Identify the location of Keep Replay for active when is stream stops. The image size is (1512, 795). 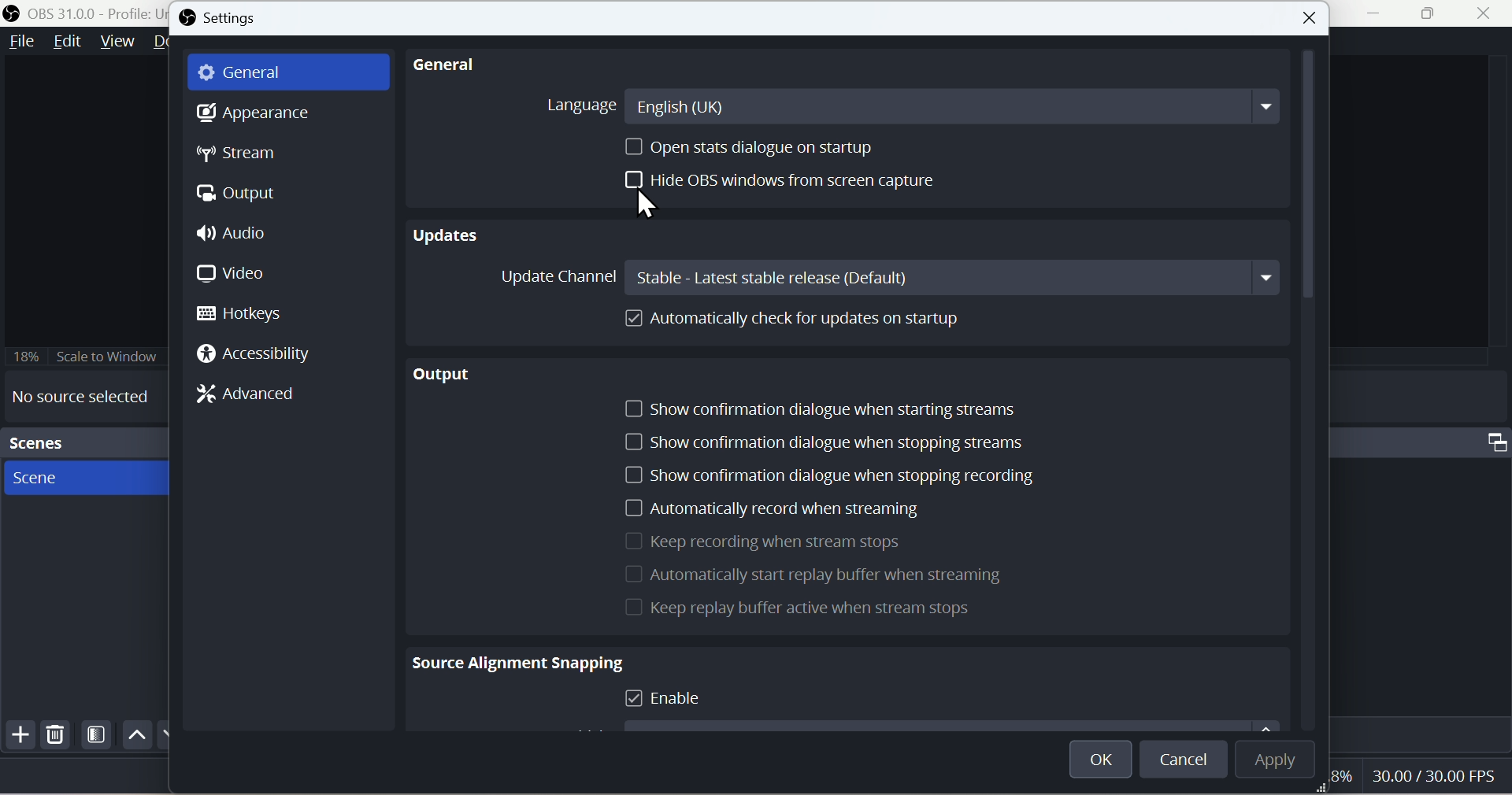
(799, 611).